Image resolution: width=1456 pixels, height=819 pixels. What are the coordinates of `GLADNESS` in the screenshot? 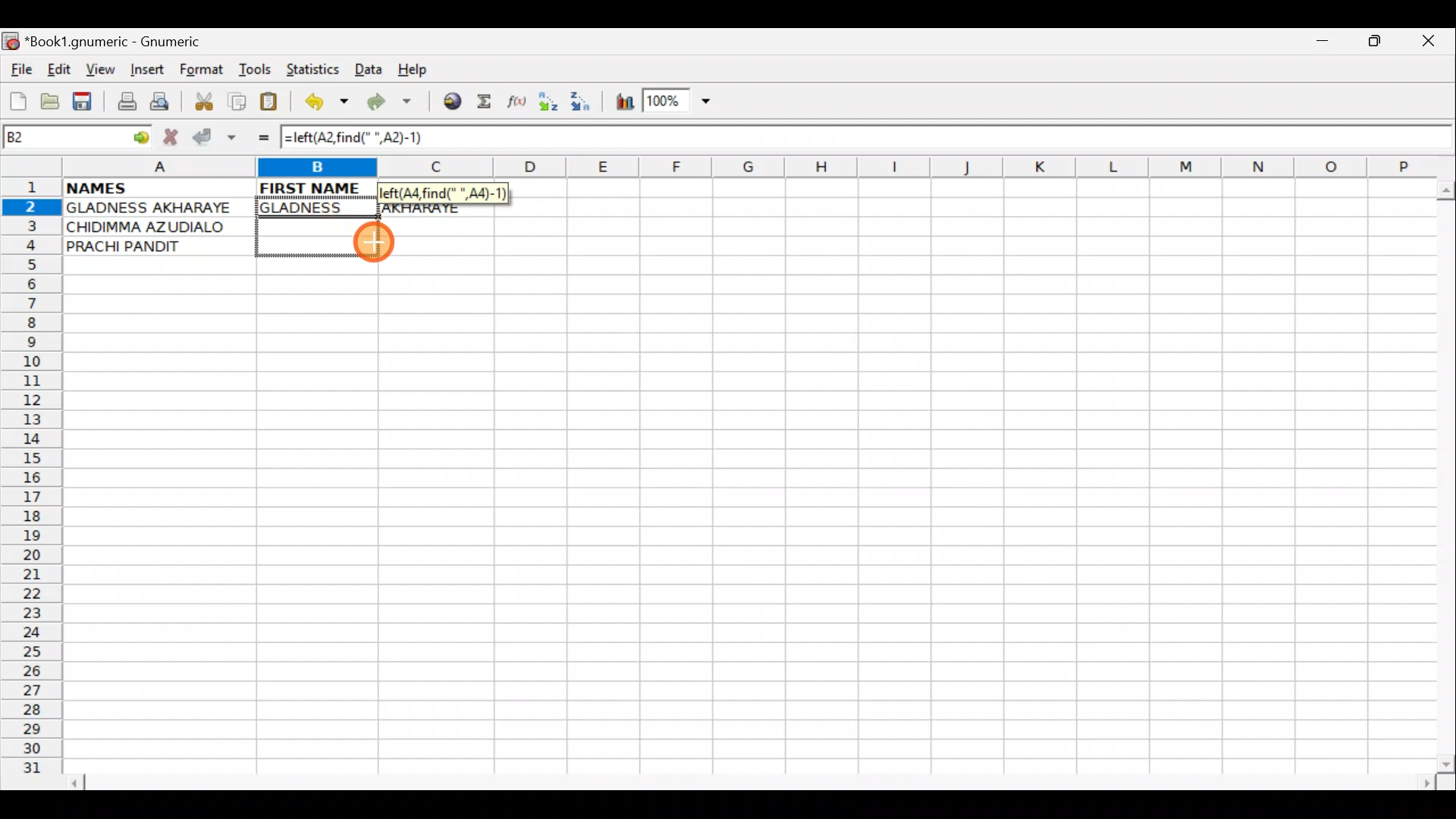 It's located at (313, 208).